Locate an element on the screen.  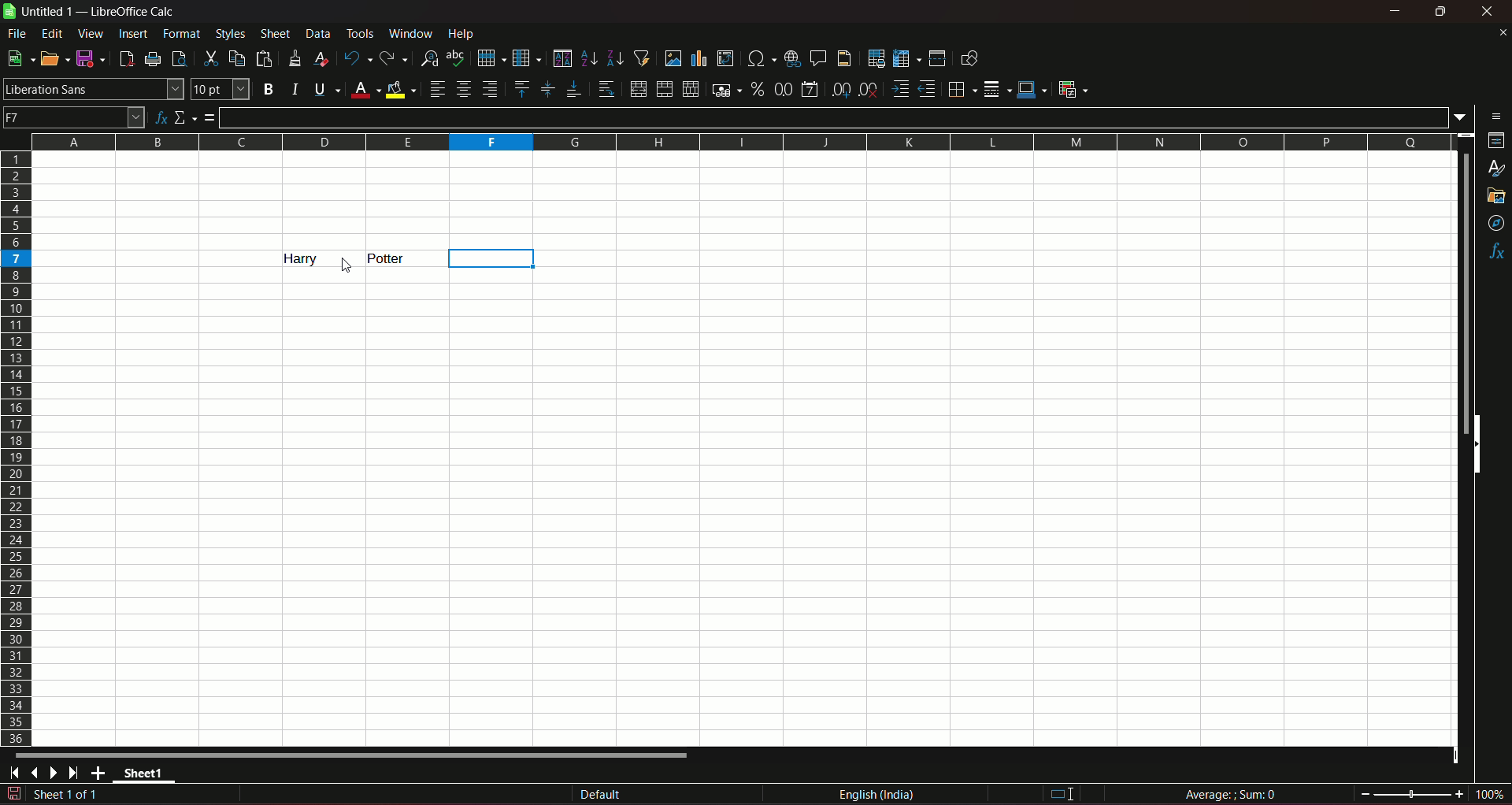
navigator is located at coordinates (1497, 224).